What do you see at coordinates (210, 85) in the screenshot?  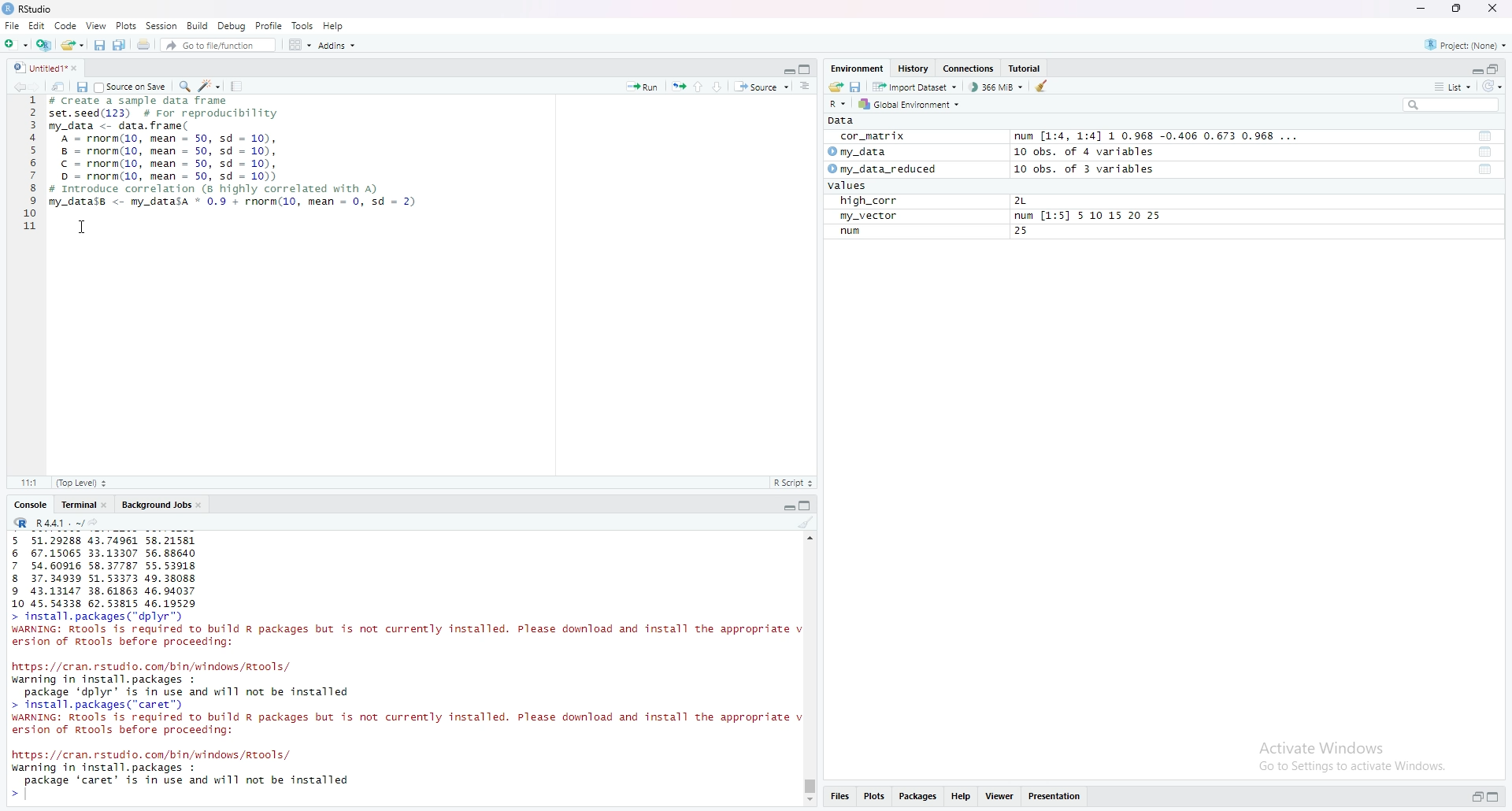 I see `edit` at bounding box center [210, 85].